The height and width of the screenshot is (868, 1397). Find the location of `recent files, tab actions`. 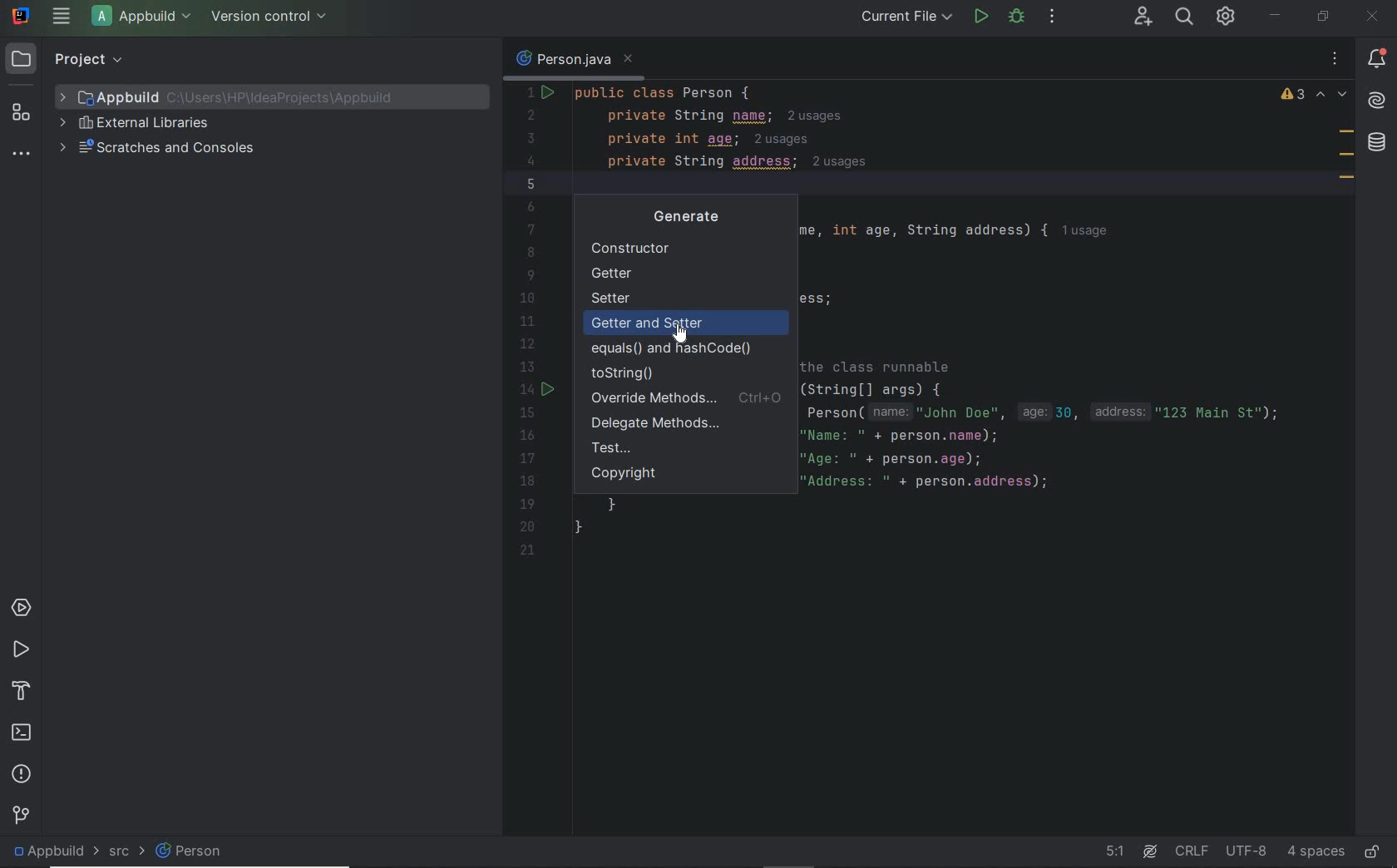

recent files, tab actions is located at coordinates (1335, 59).